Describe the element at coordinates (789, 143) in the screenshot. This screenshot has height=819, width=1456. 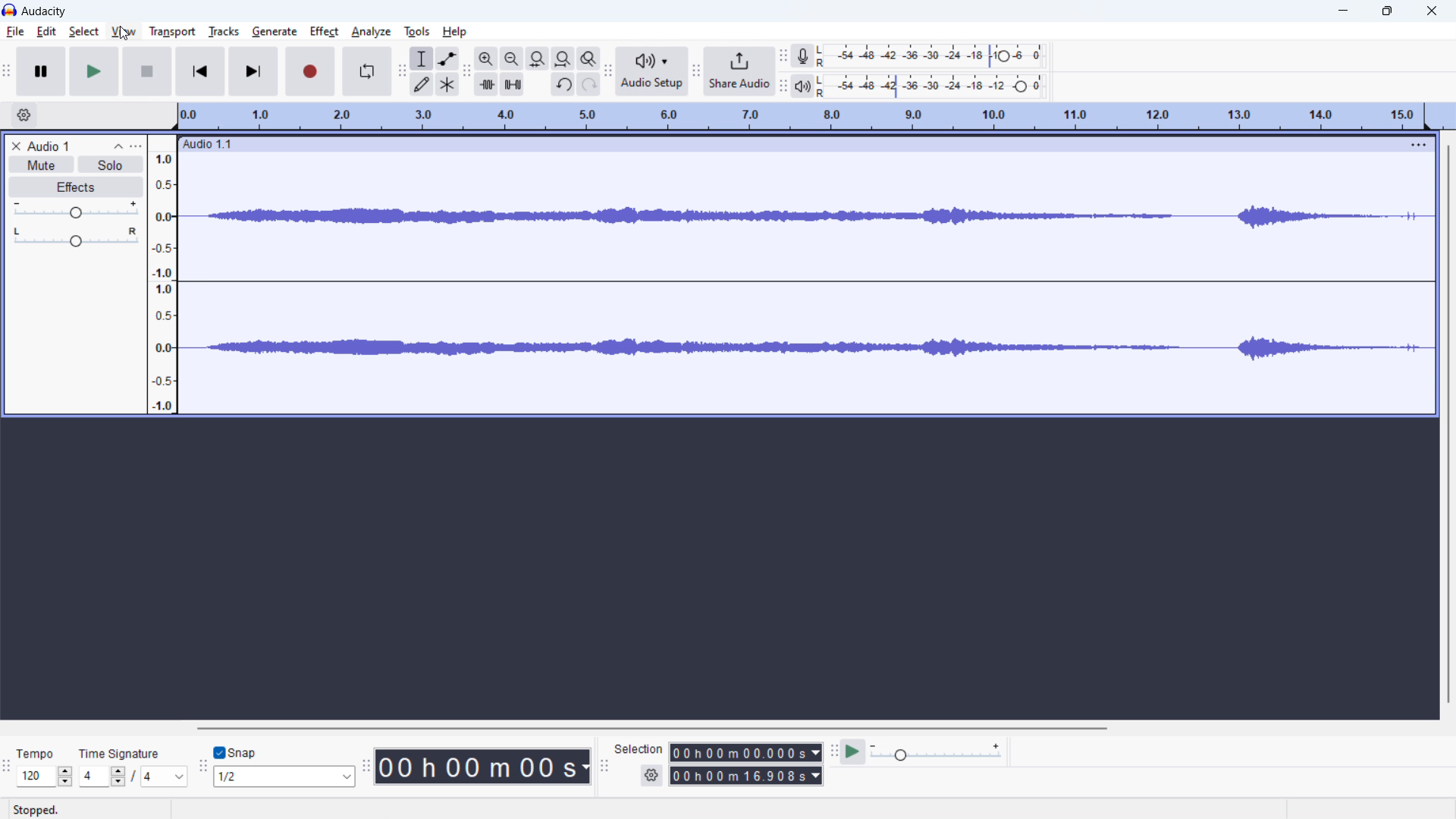
I see `hold to move` at that location.